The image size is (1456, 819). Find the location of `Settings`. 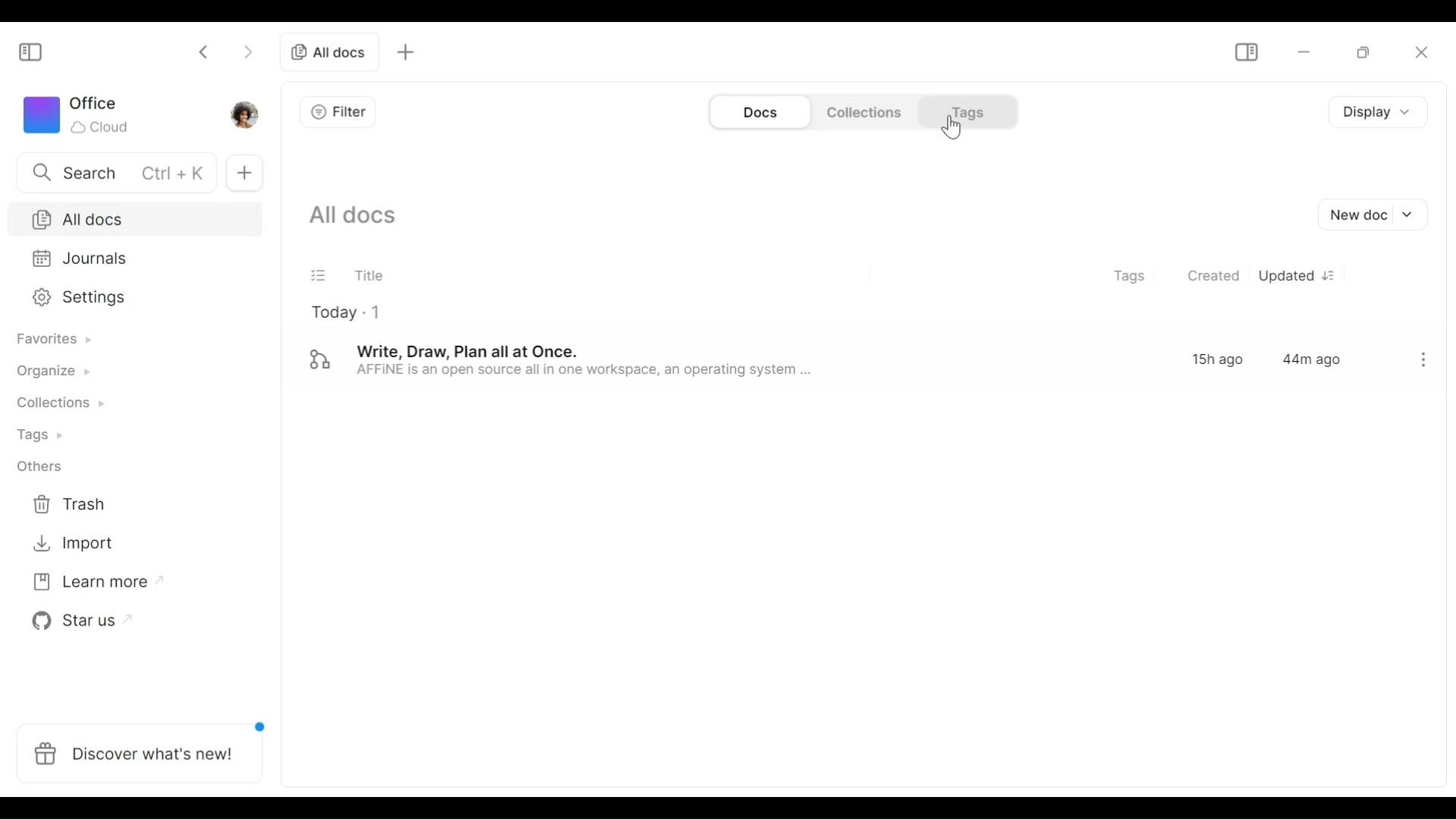

Settings is located at coordinates (131, 297).